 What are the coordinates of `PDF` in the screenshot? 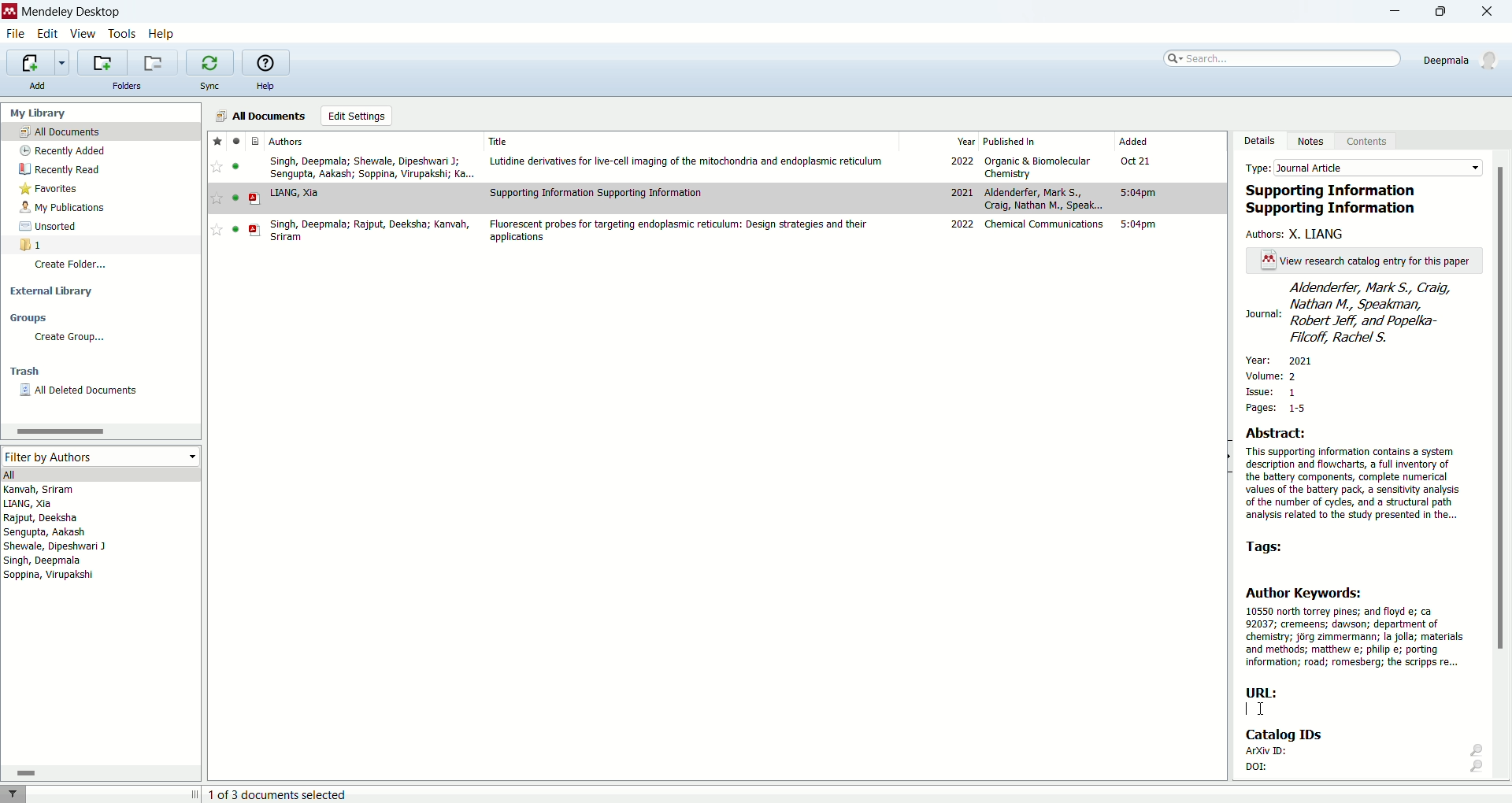 It's located at (254, 198).